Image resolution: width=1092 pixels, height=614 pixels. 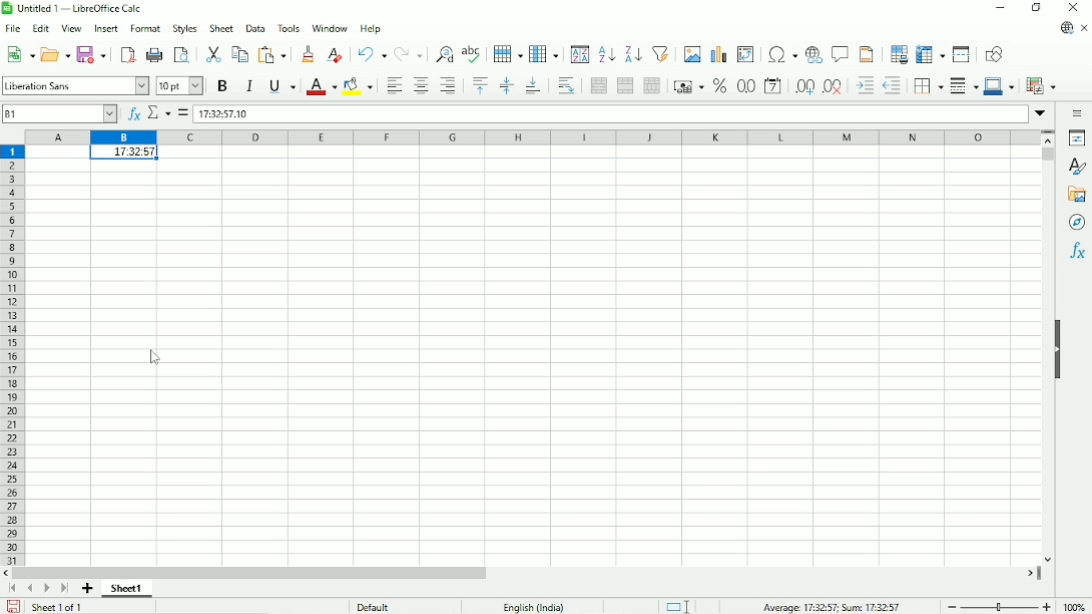 What do you see at coordinates (252, 574) in the screenshot?
I see `Horizontal scrollbar` at bounding box center [252, 574].